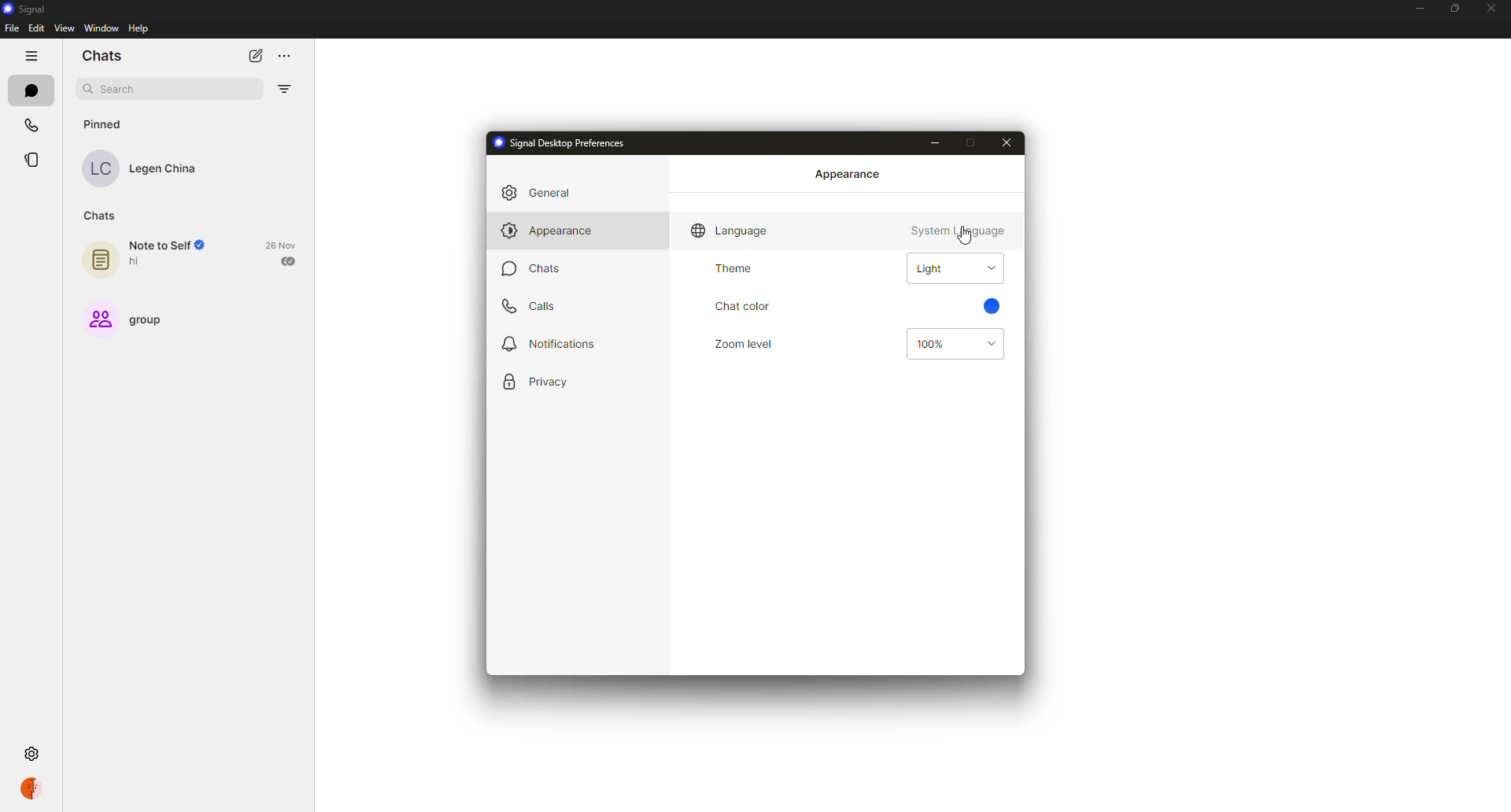 The image size is (1511, 812). What do you see at coordinates (1011, 142) in the screenshot?
I see `close` at bounding box center [1011, 142].